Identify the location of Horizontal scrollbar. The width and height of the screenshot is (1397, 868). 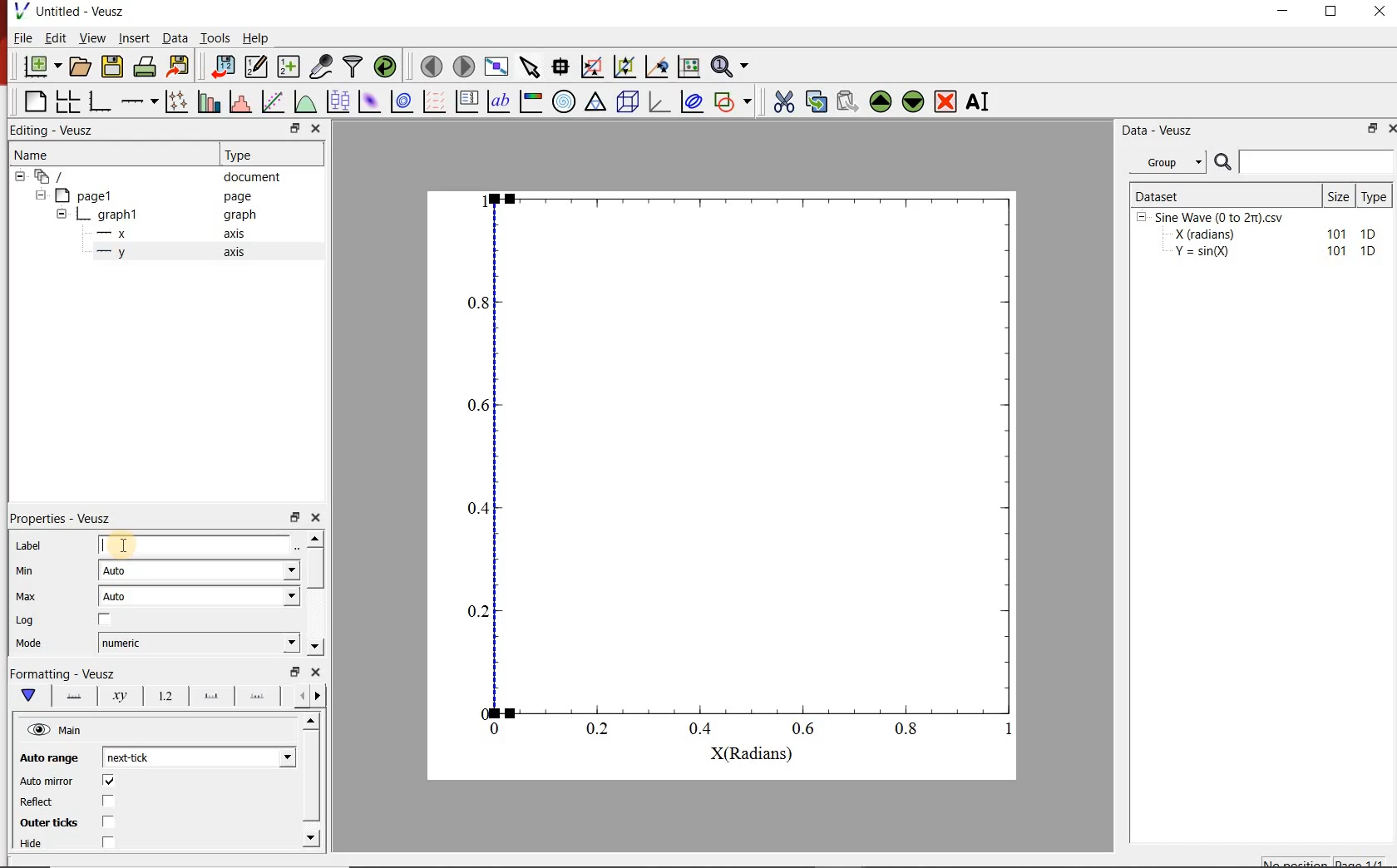
(313, 778).